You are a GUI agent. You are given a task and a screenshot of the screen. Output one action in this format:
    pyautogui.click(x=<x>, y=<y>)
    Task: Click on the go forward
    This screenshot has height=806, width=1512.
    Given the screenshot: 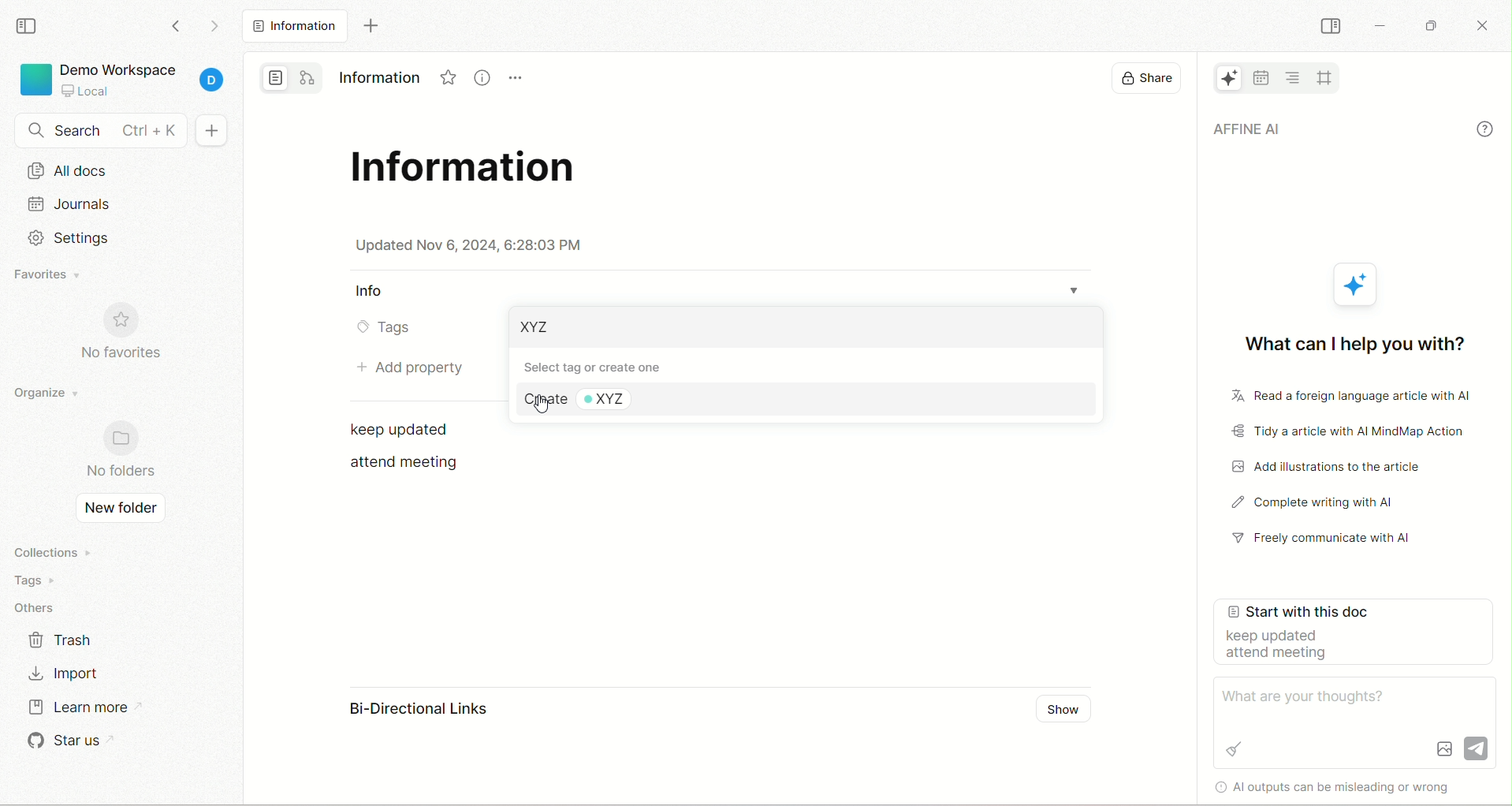 What is the action you would take?
    pyautogui.click(x=210, y=27)
    